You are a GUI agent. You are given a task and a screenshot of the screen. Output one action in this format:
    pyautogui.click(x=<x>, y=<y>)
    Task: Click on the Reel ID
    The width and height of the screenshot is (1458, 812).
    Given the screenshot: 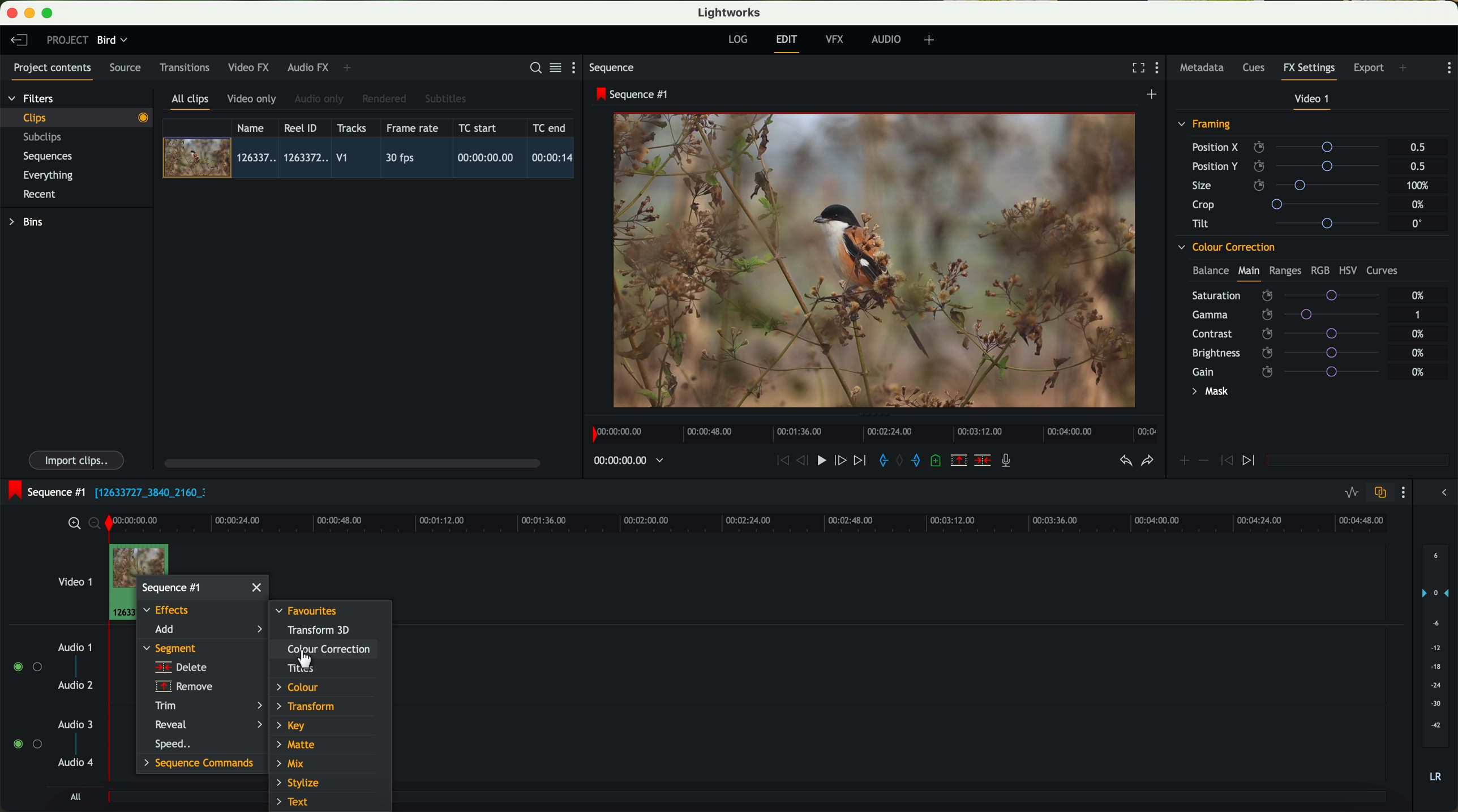 What is the action you would take?
    pyautogui.click(x=303, y=127)
    